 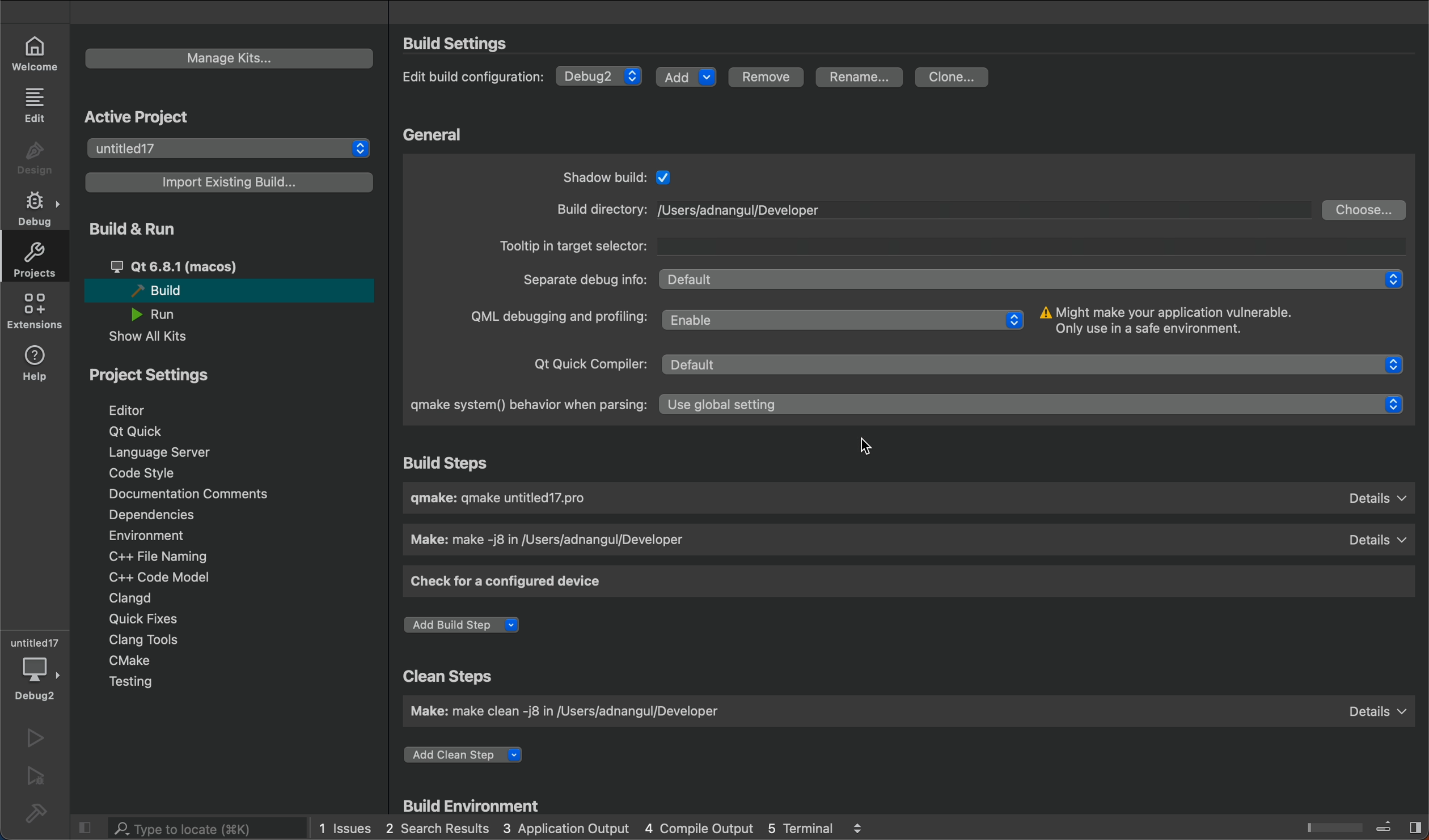 What do you see at coordinates (442, 676) in the screenshot?
I see `clean steps` at bounding box center [442, 676].